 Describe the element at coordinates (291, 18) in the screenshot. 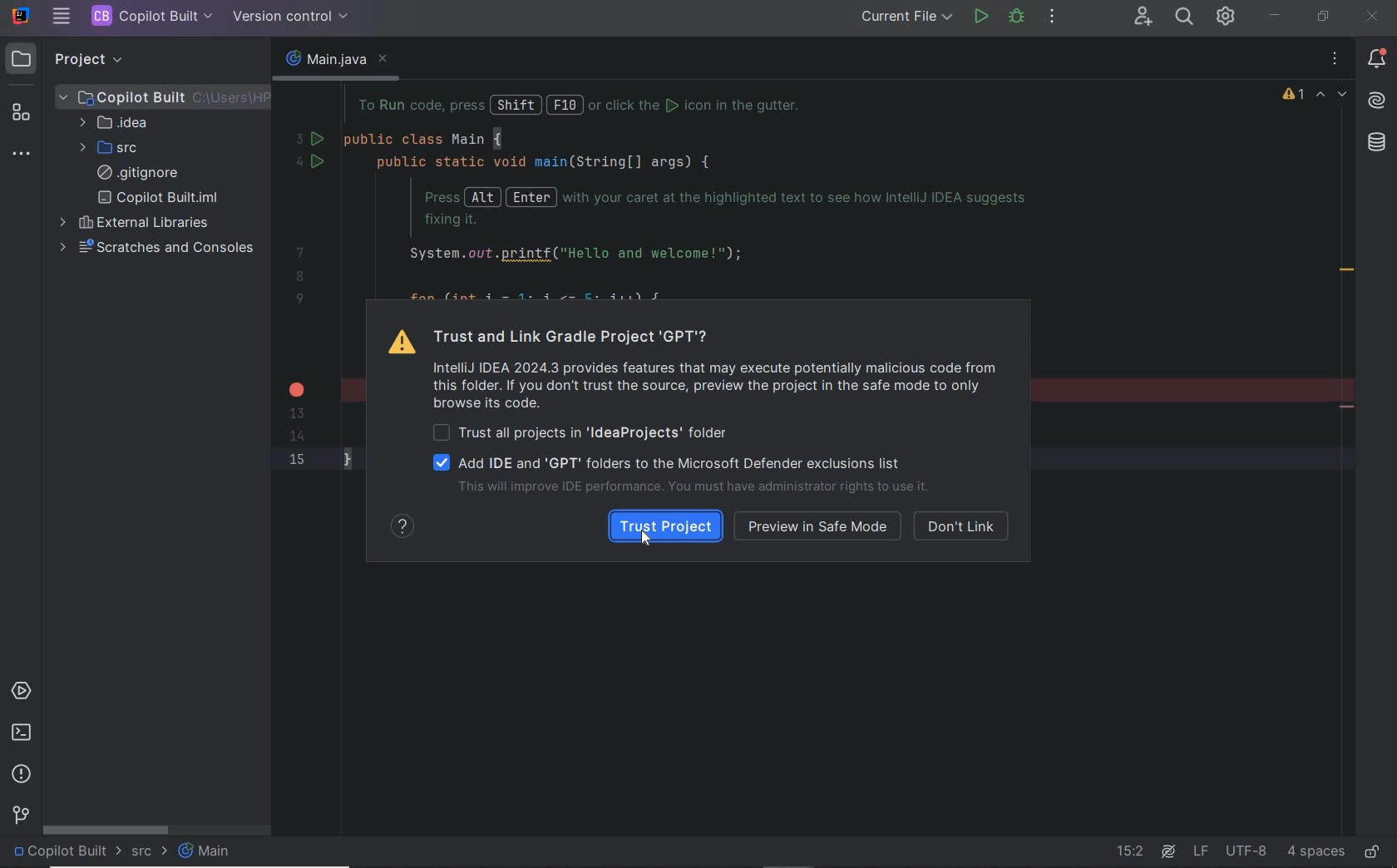

I see `VERSION CONTROL` at that location.